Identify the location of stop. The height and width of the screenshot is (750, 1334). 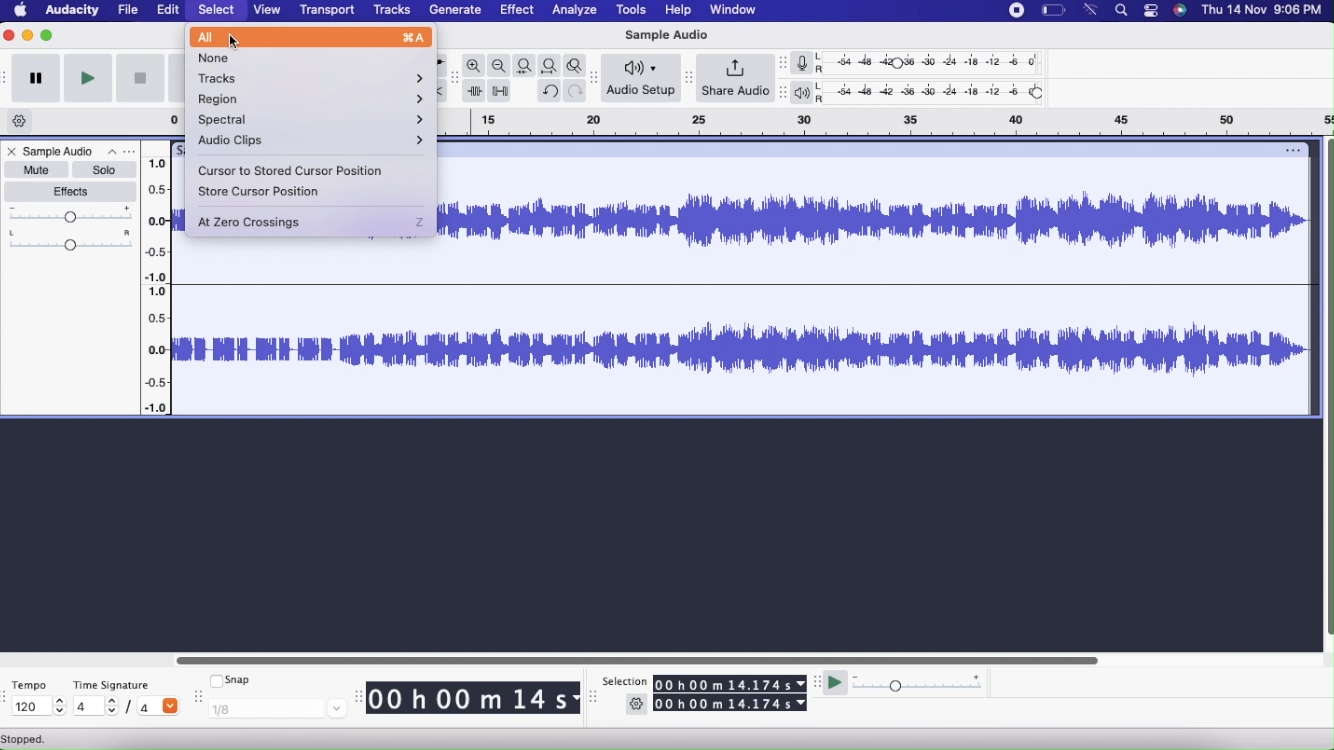
(139, 79).